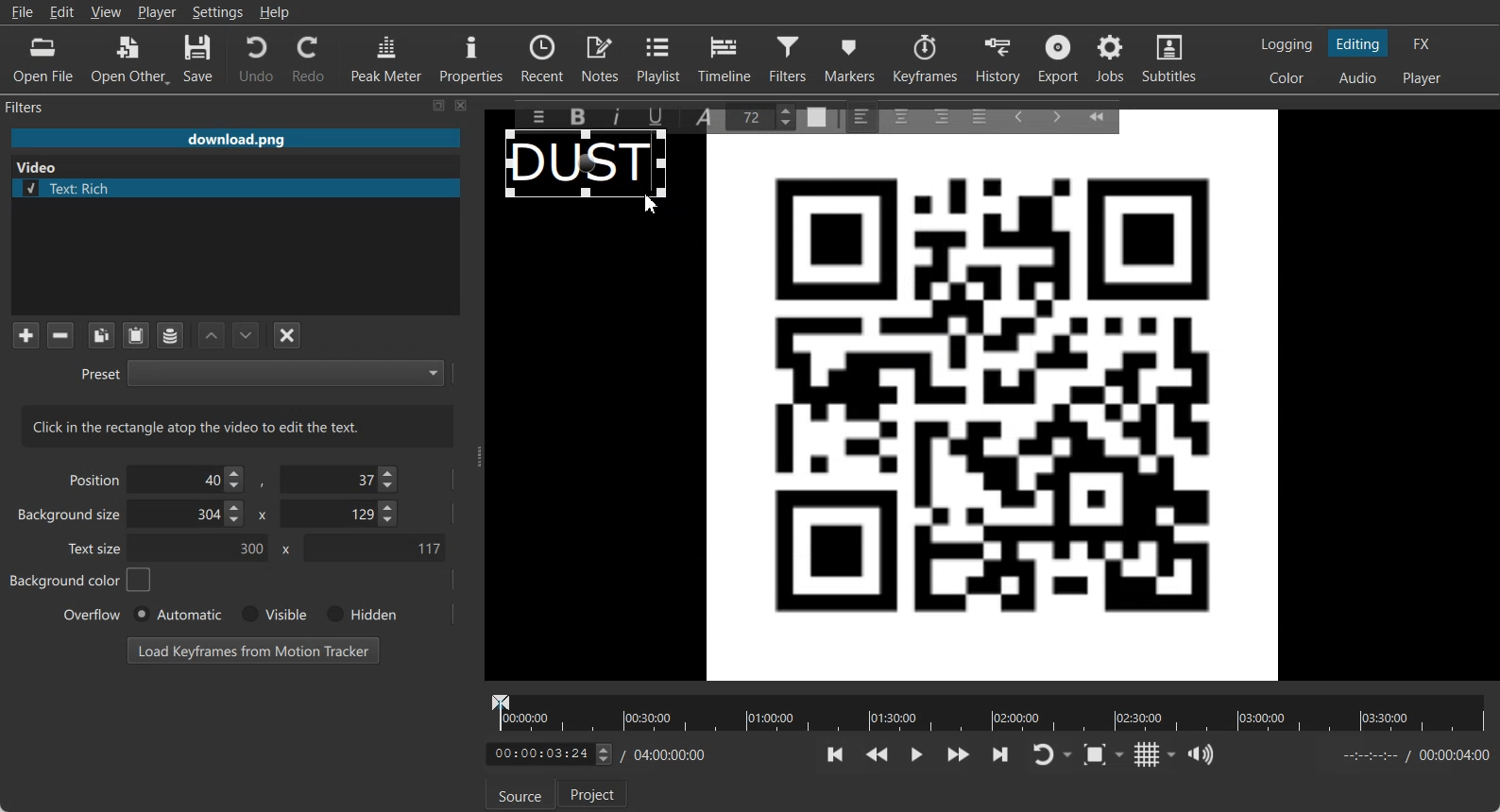 The height and width of the screenshot is (812, 1500). I want to click on Play Quickly backward, so click(878, 754).